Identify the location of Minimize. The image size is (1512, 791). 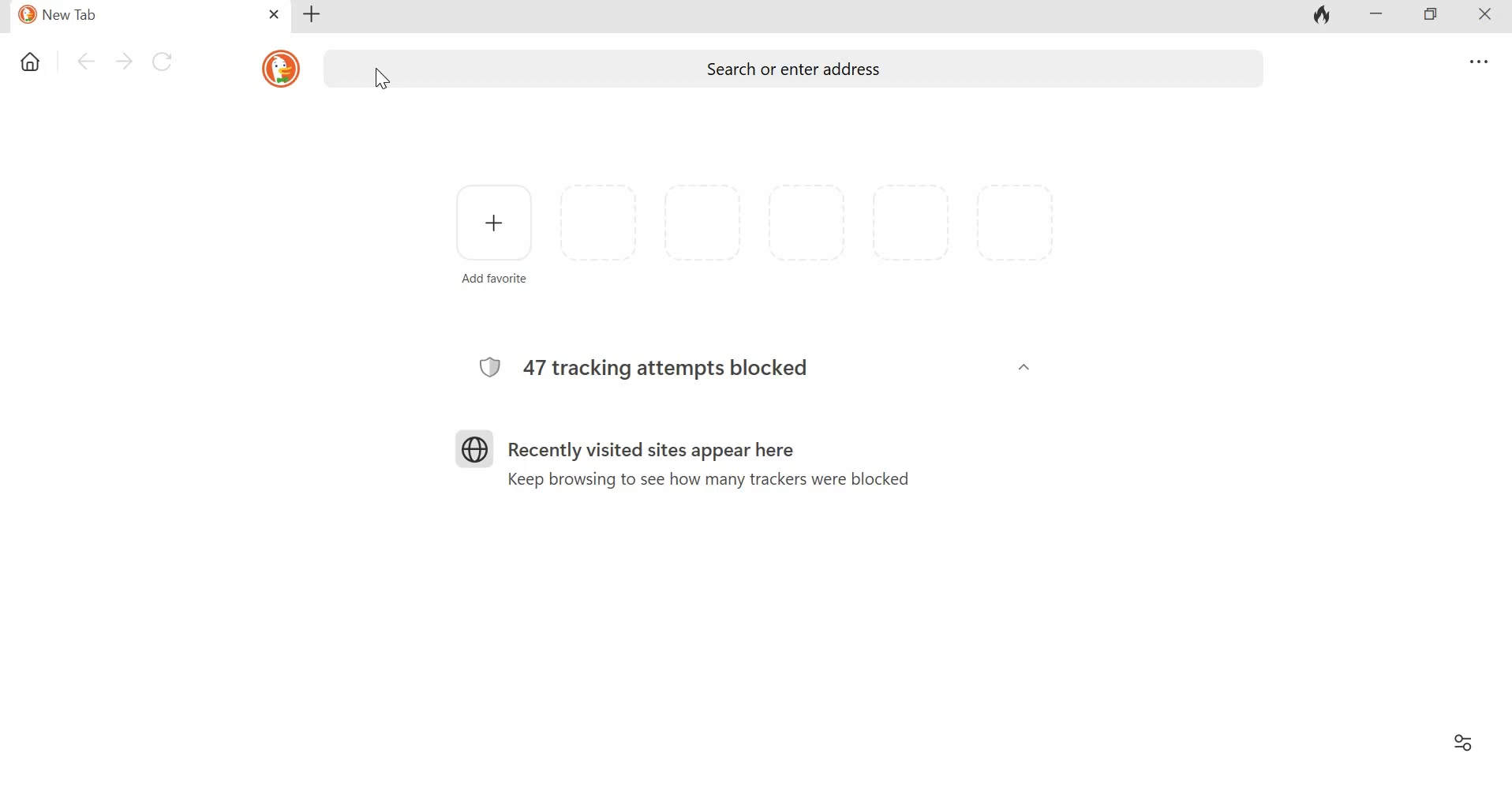
(1376, 16).